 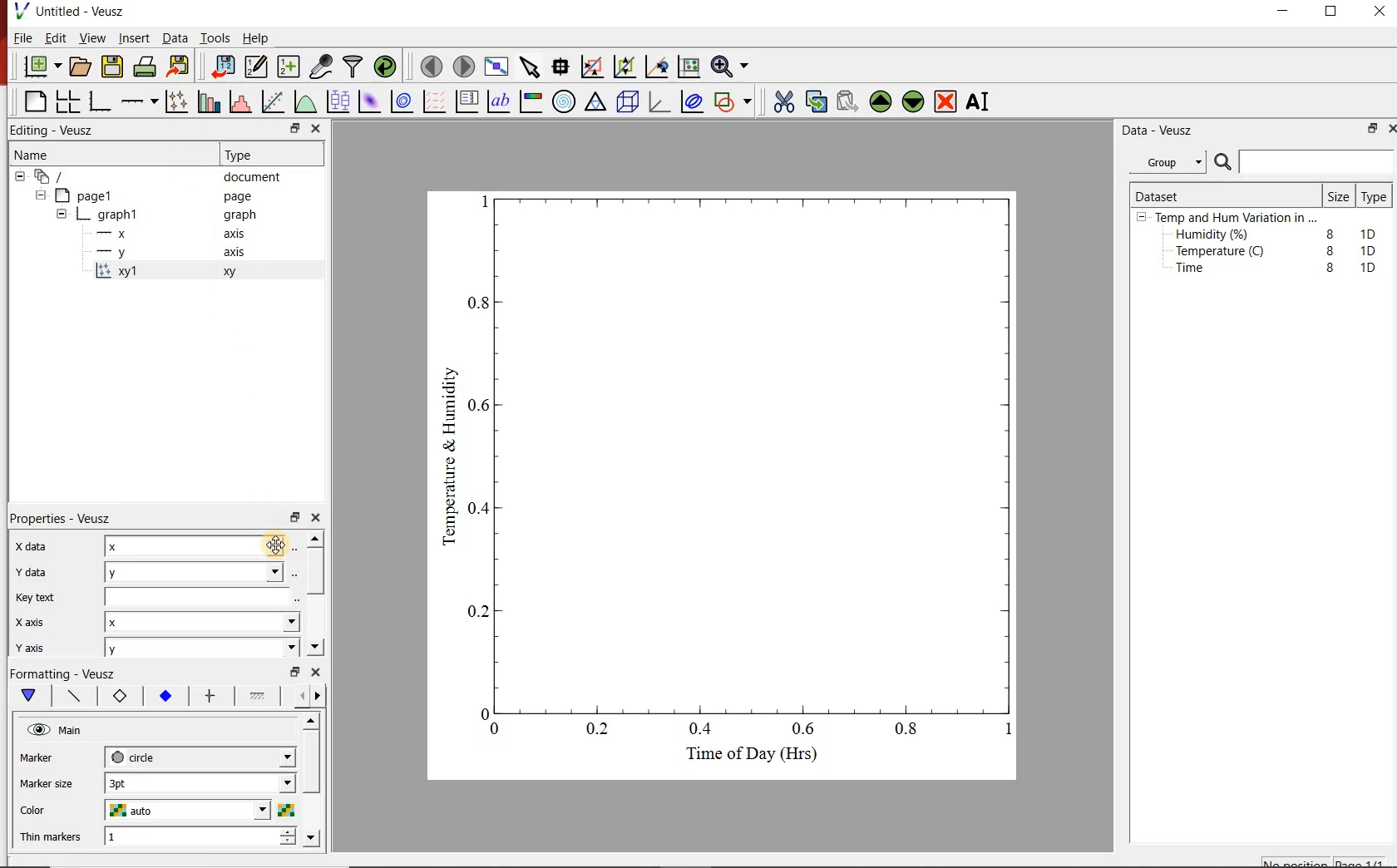 What do you see at coordinates (729, 66) in the screenshot?
I see `Zoom functions menu` at bounding box center [729, 66].